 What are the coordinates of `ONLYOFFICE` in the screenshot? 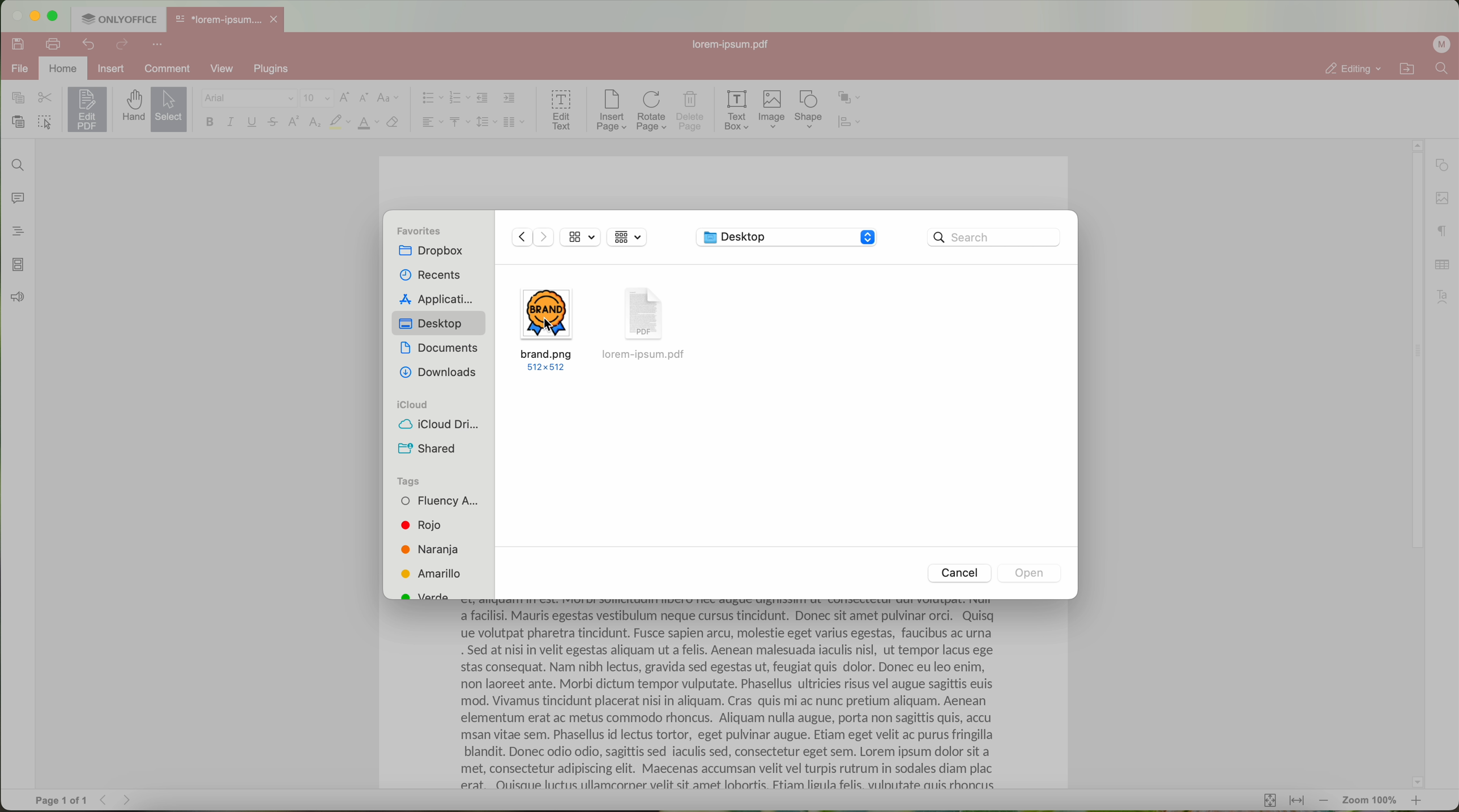 It's located at (118, 18).